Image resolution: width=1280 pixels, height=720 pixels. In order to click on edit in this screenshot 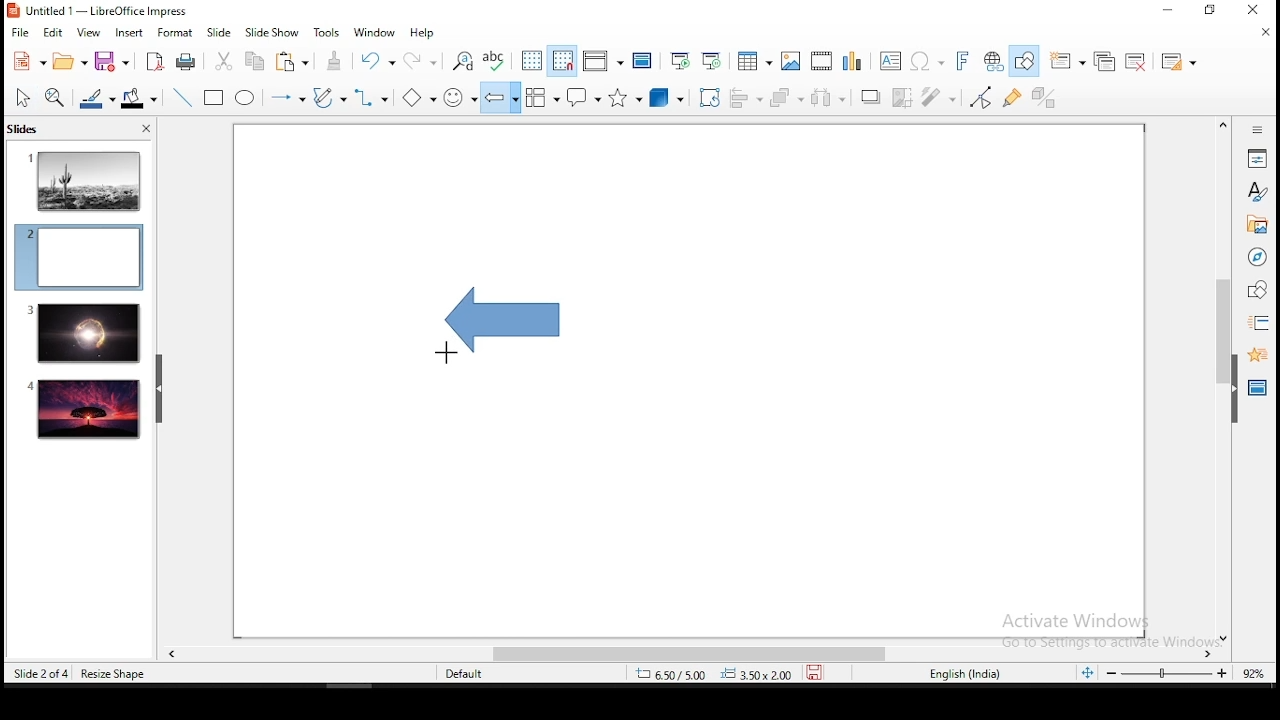, I will do `click(53, 33)`.